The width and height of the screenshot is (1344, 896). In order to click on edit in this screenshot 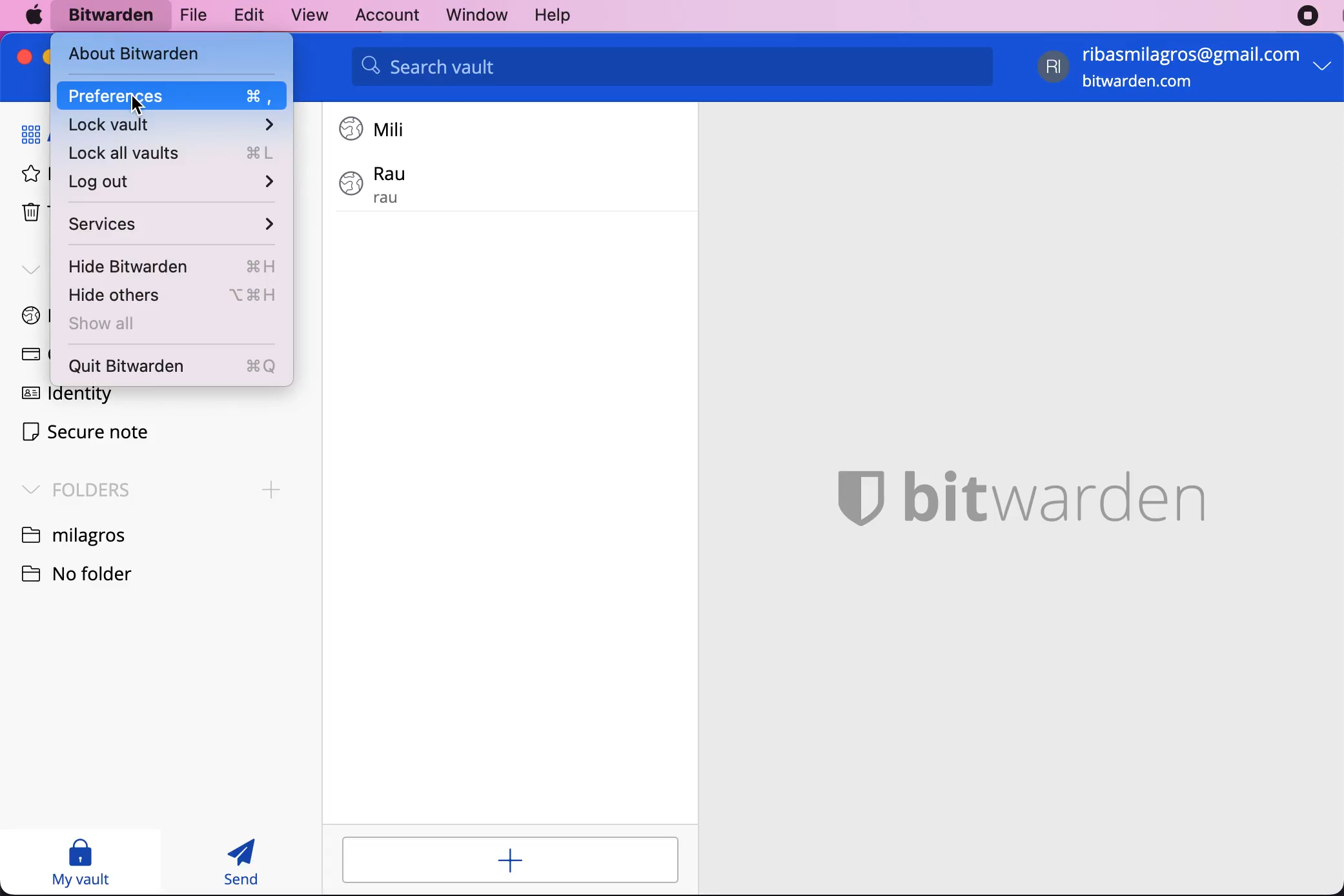, I will do `click(245, 14)`.